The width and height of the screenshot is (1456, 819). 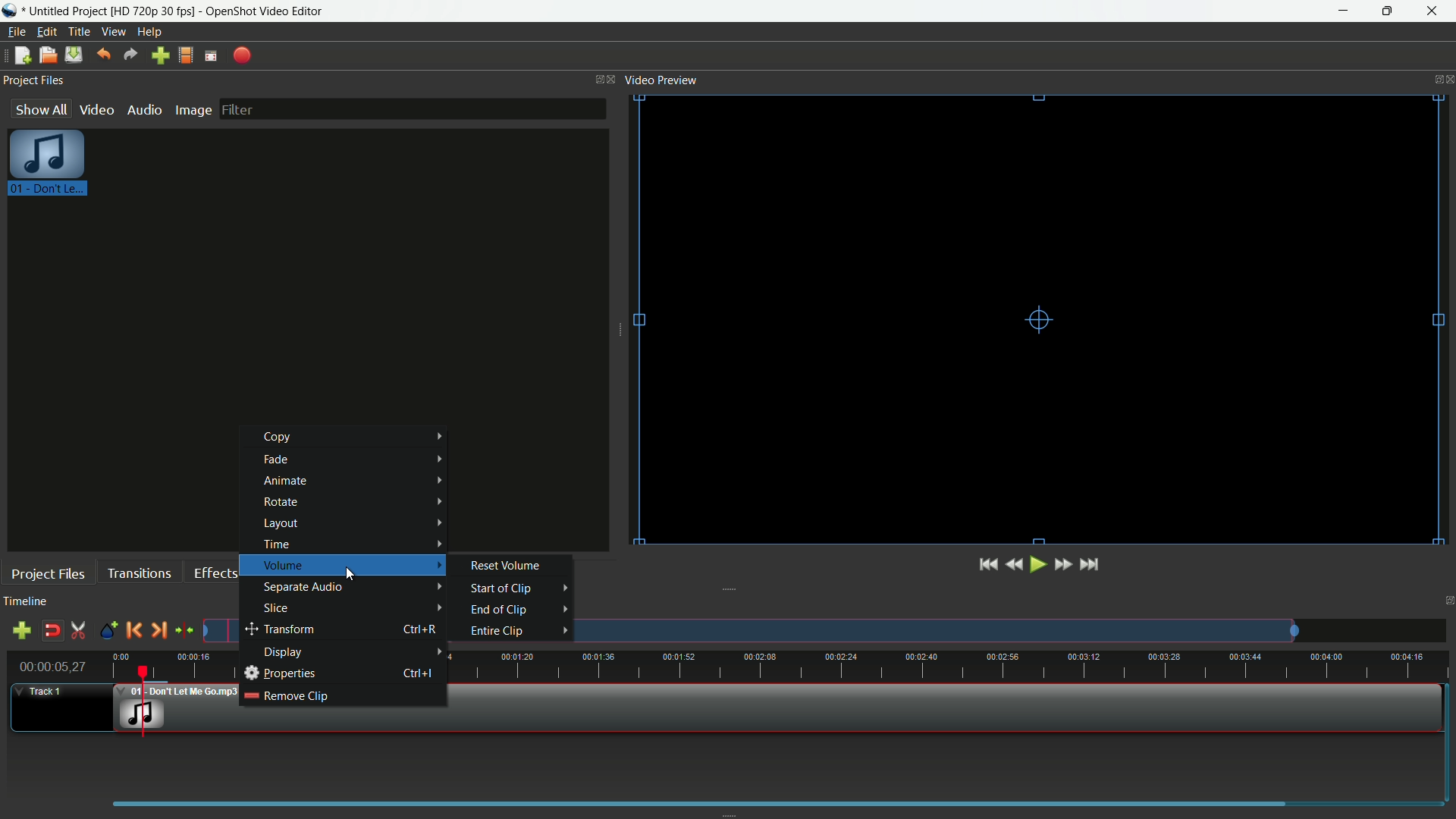 I want to click on image, so click(x=193, y=110).